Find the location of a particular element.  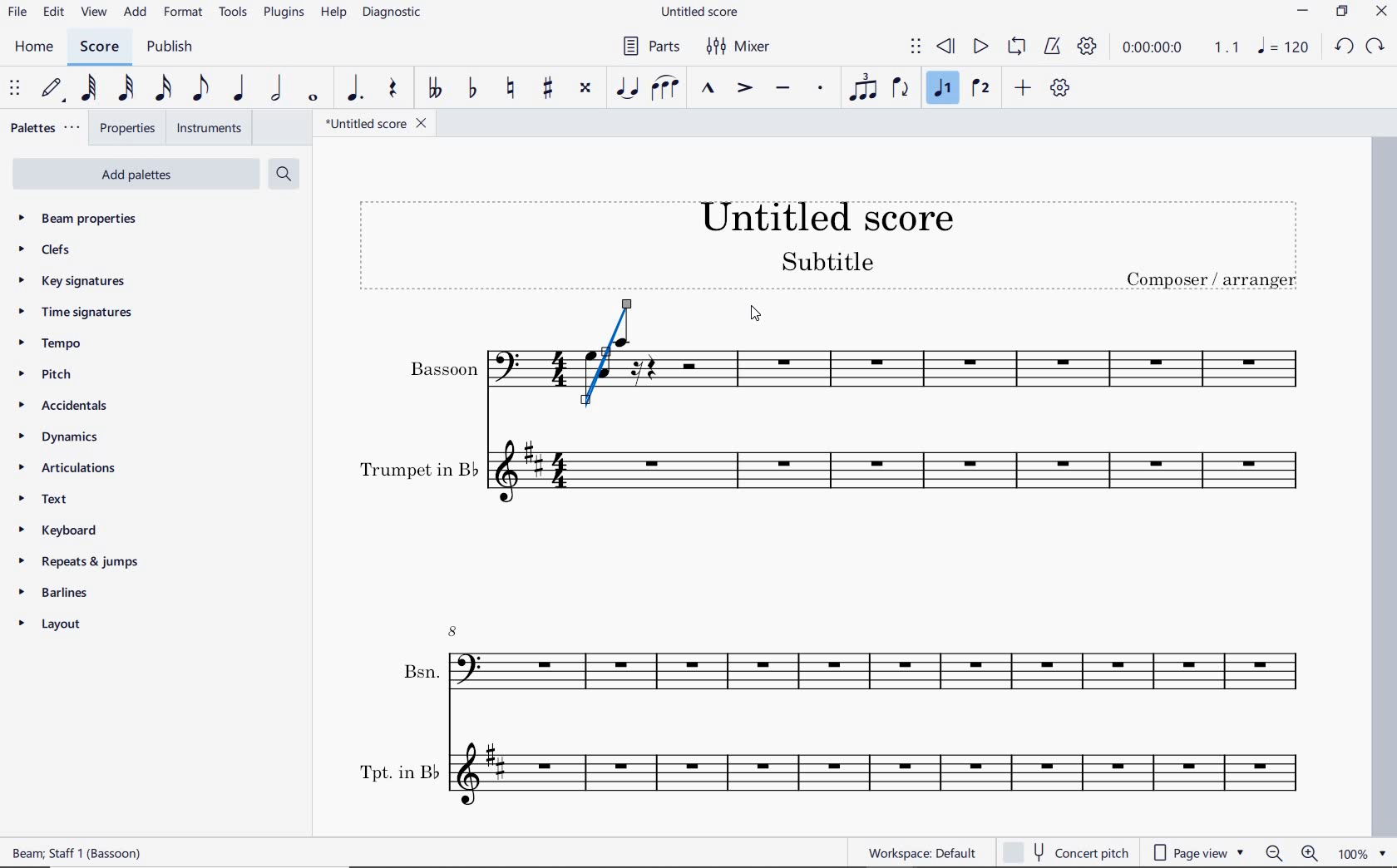

cursor is located at coordinates (753, 315).